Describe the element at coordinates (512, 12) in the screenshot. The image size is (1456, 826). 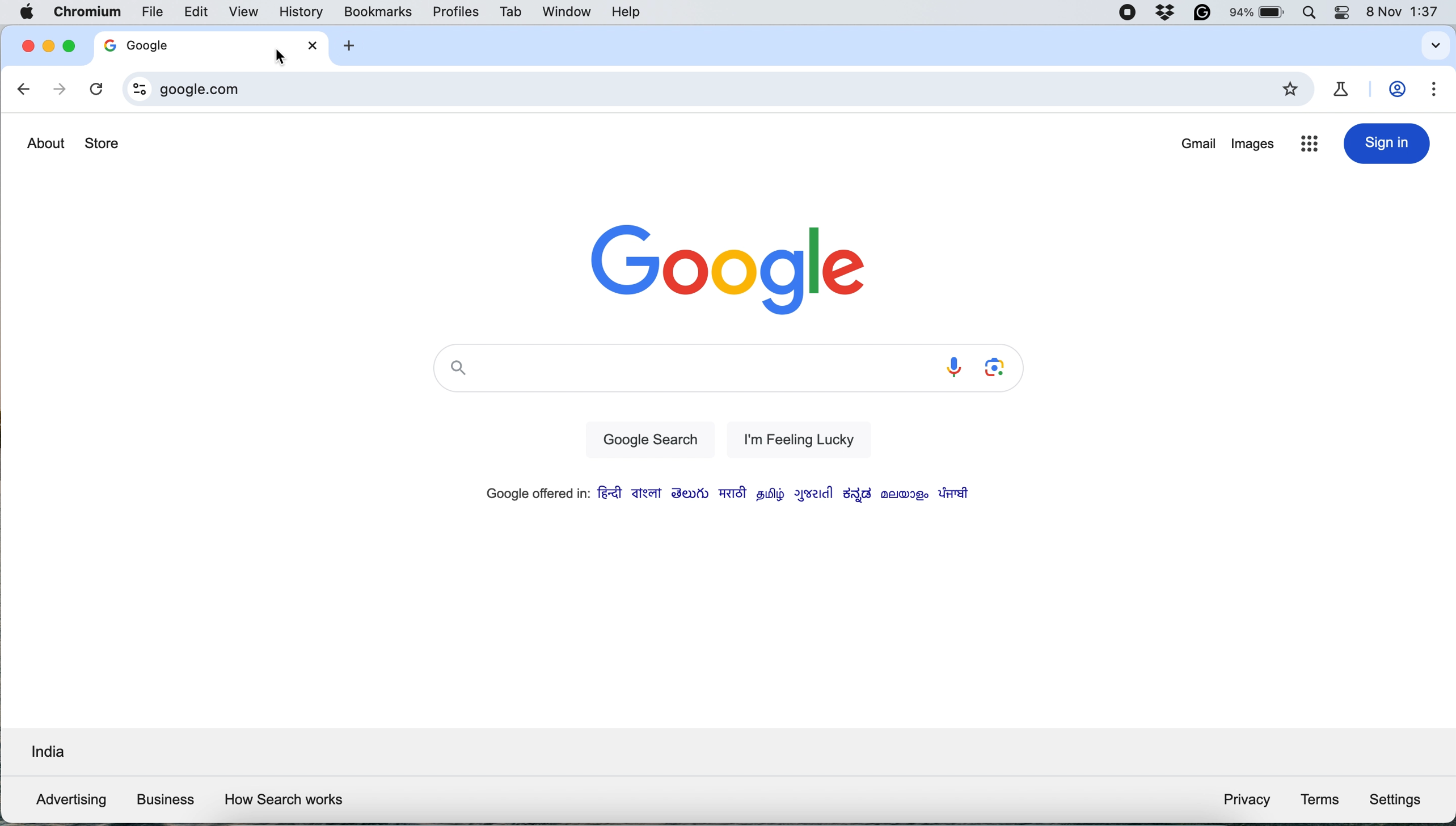
I see `tab` at that location.